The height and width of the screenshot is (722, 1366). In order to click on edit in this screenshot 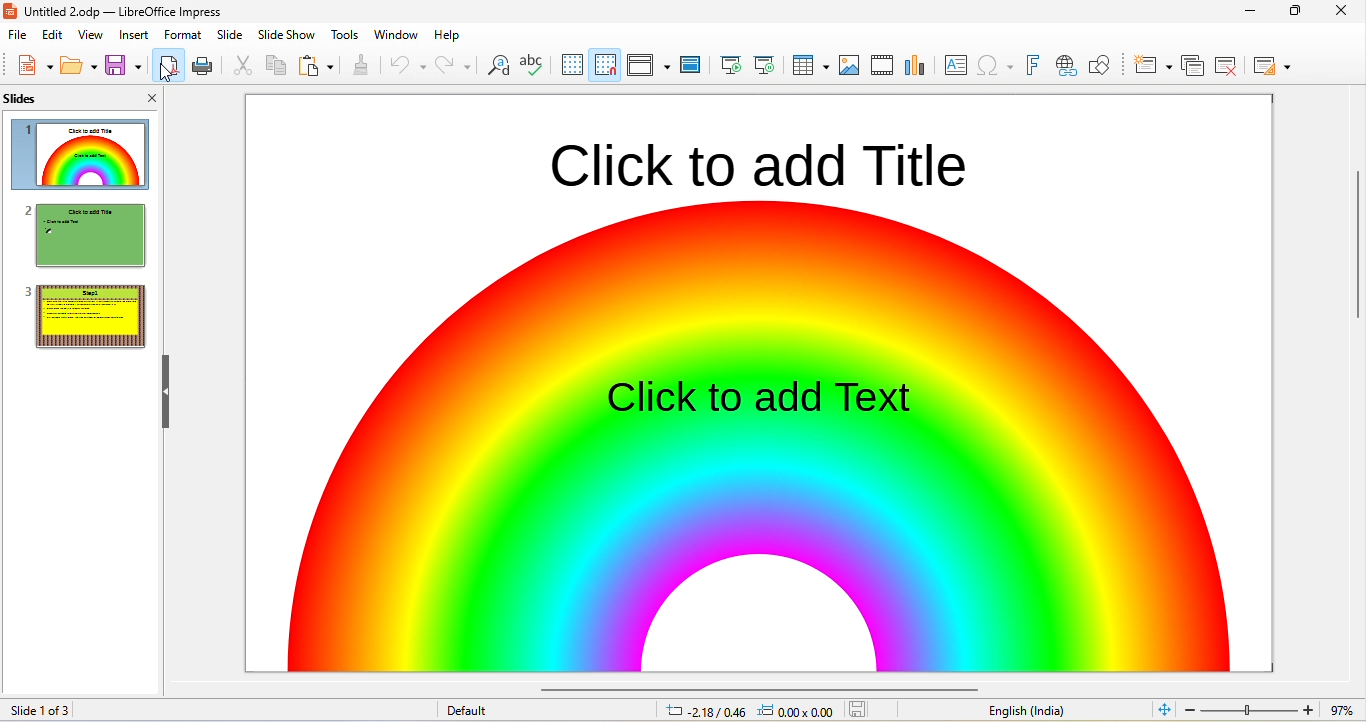, I will do `click(51, 35)`.